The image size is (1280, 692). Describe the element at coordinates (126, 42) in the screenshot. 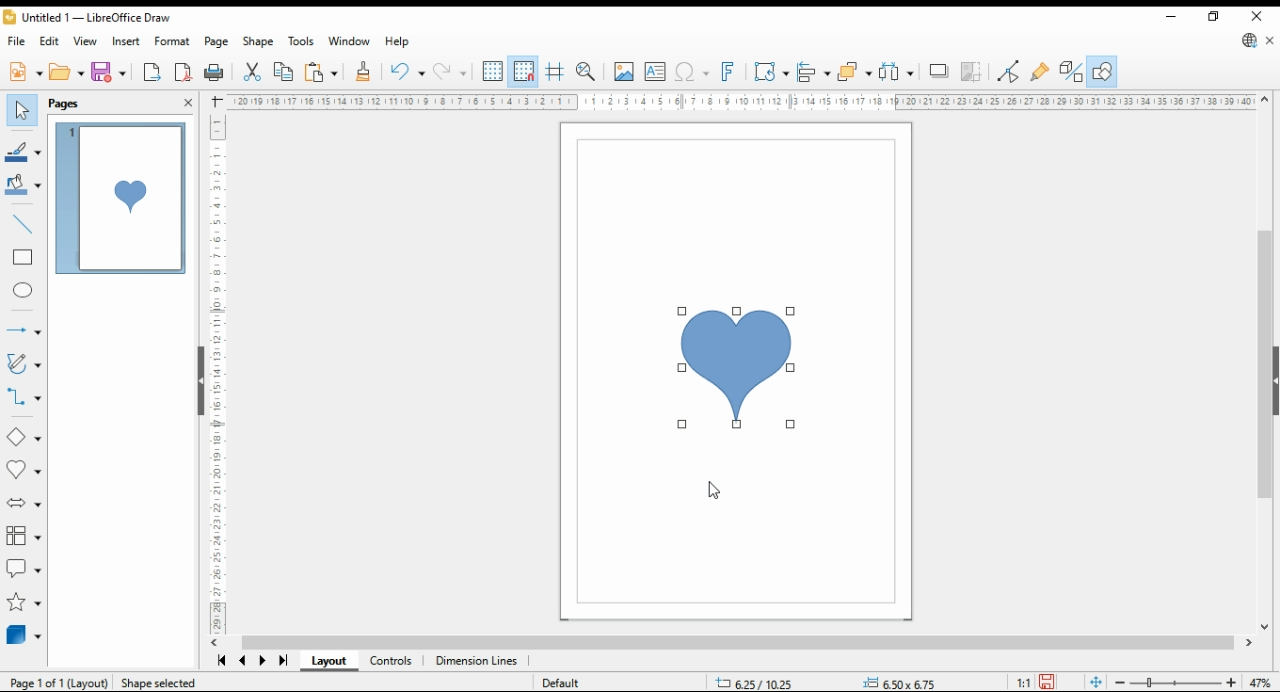

I see `insert` at that location.